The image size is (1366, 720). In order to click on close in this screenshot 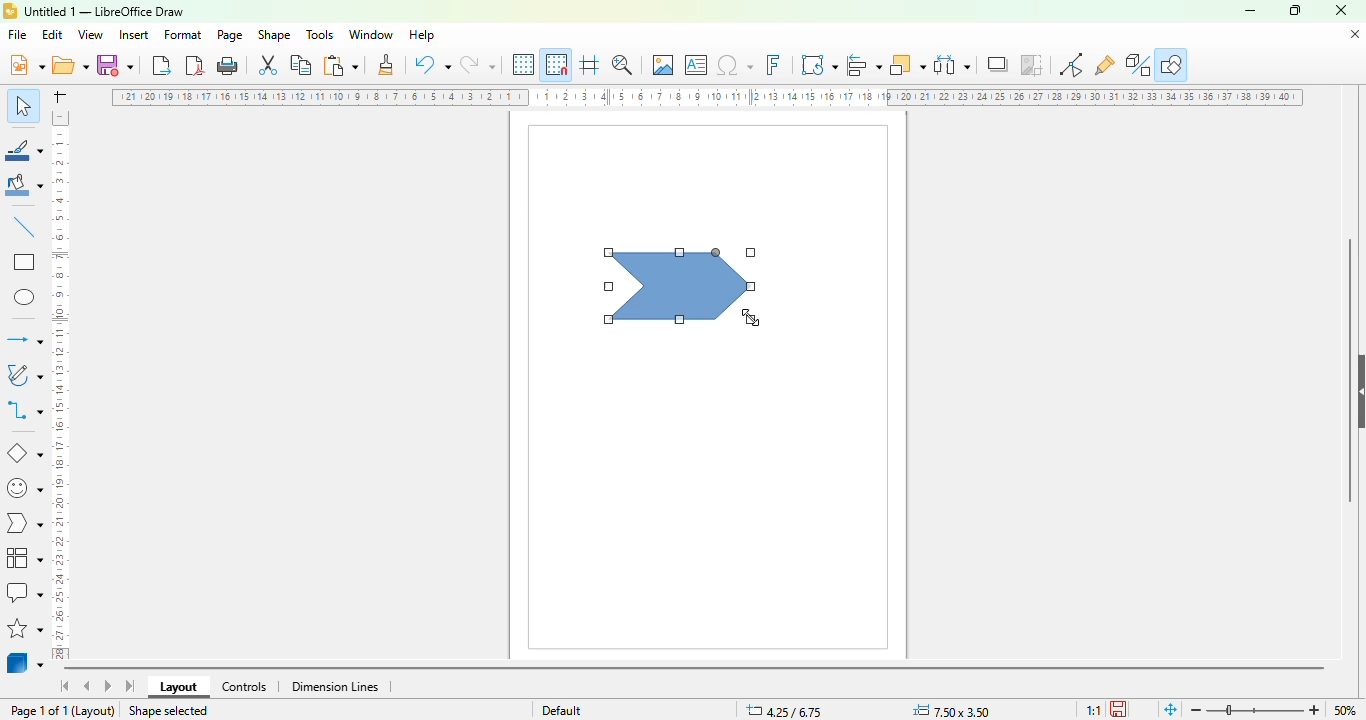, I will do `click(1341, 10)`.